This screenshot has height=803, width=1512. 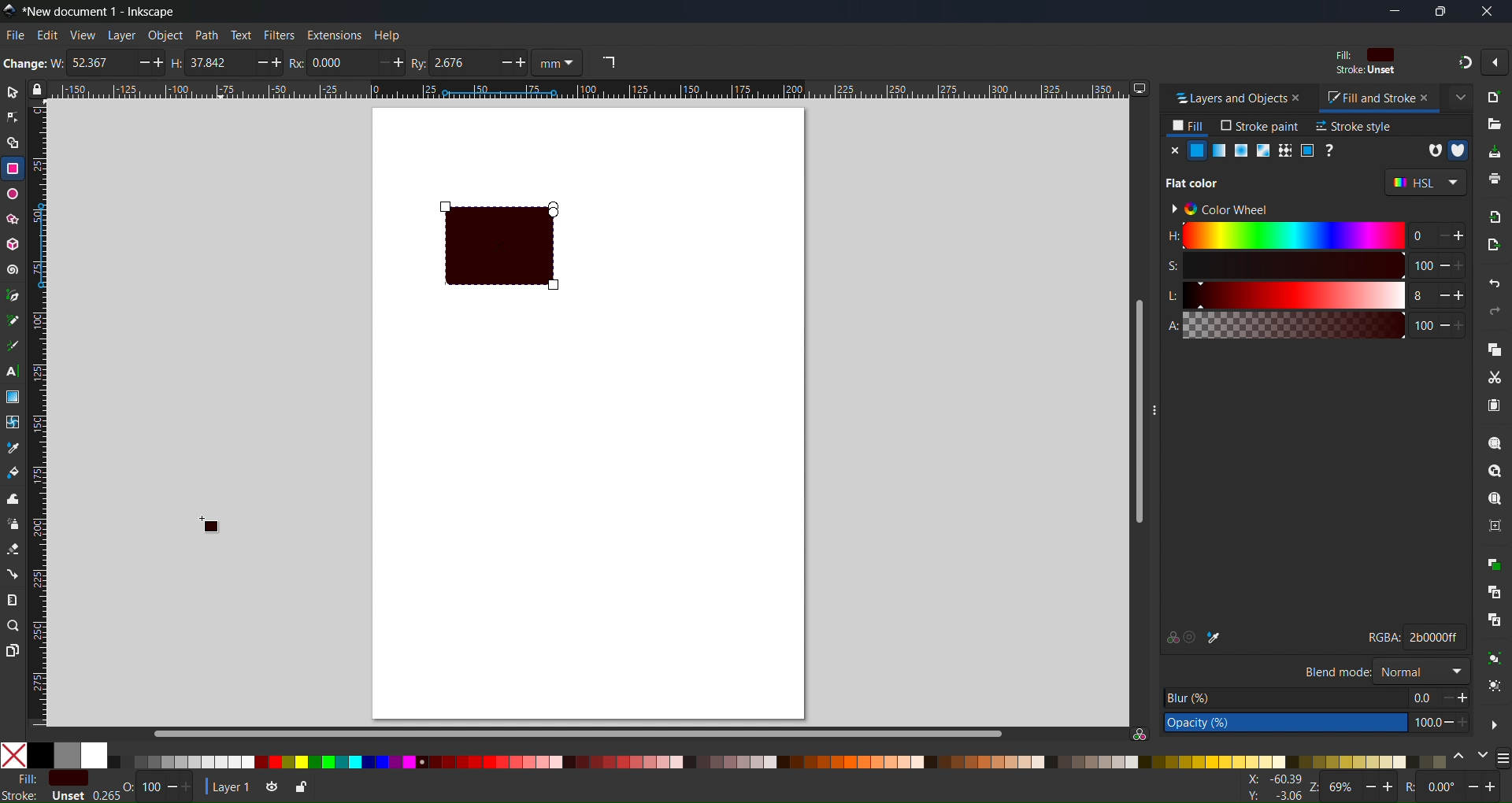 I want to click on increase saturation, so click(x=1466, y=265).